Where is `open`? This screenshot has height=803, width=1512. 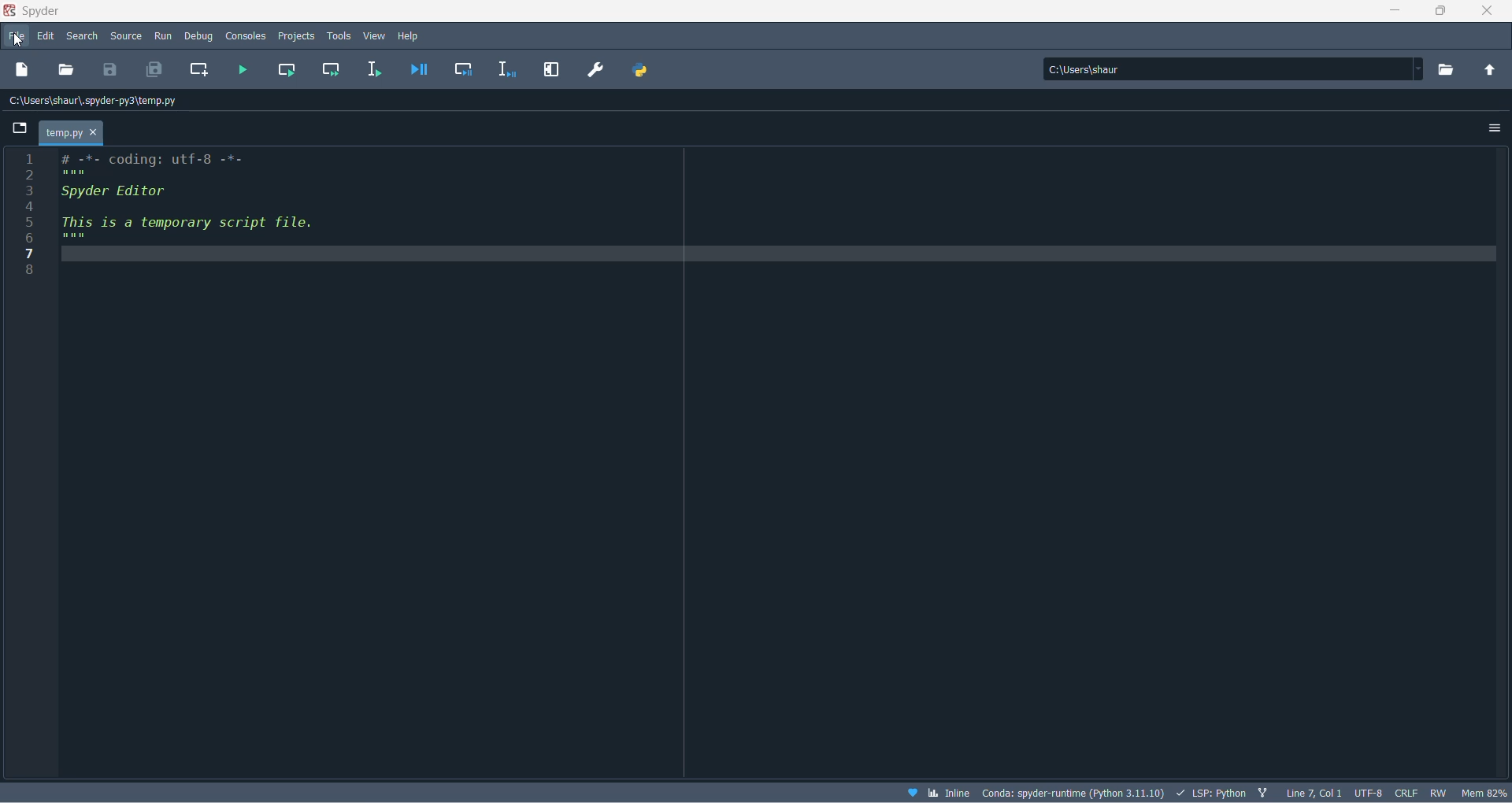
open is located at coordinates (63, 71).